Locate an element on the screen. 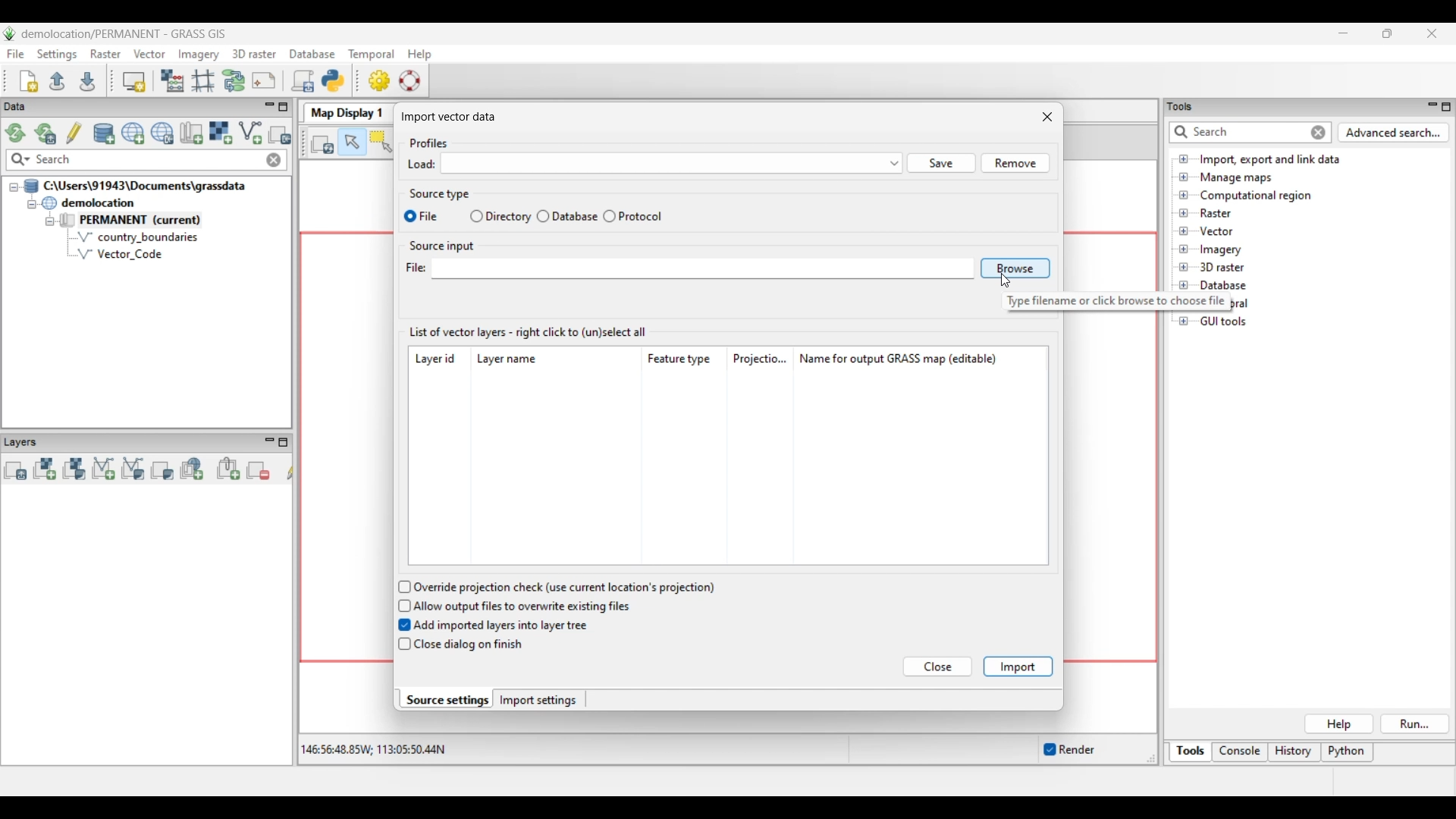 This screenshot has height=819, width=1456. Co-ordinates of the cursor within the display area is located at coordinates (371, 750).